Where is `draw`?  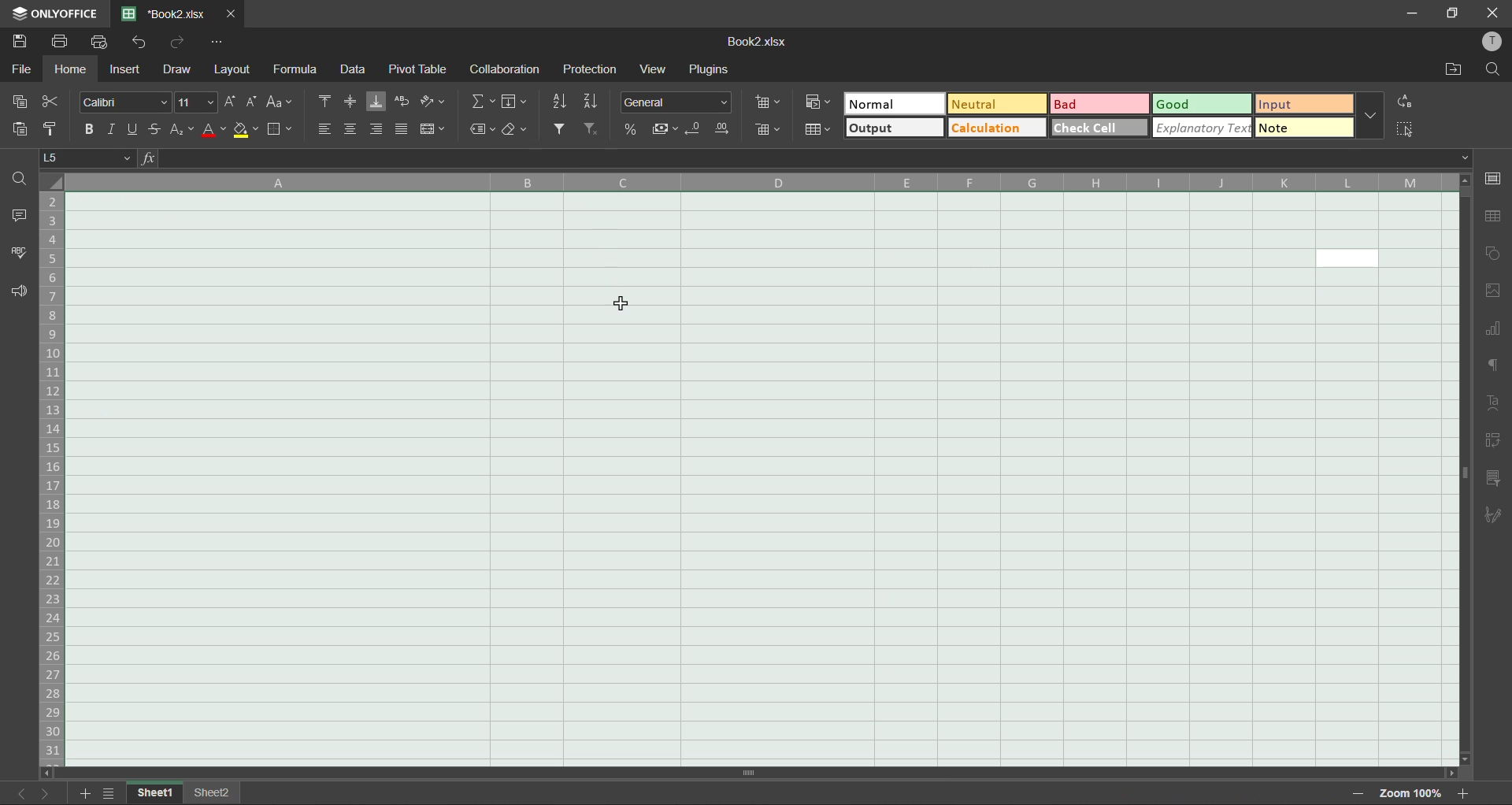 draw is located at coordinates (176, 69).